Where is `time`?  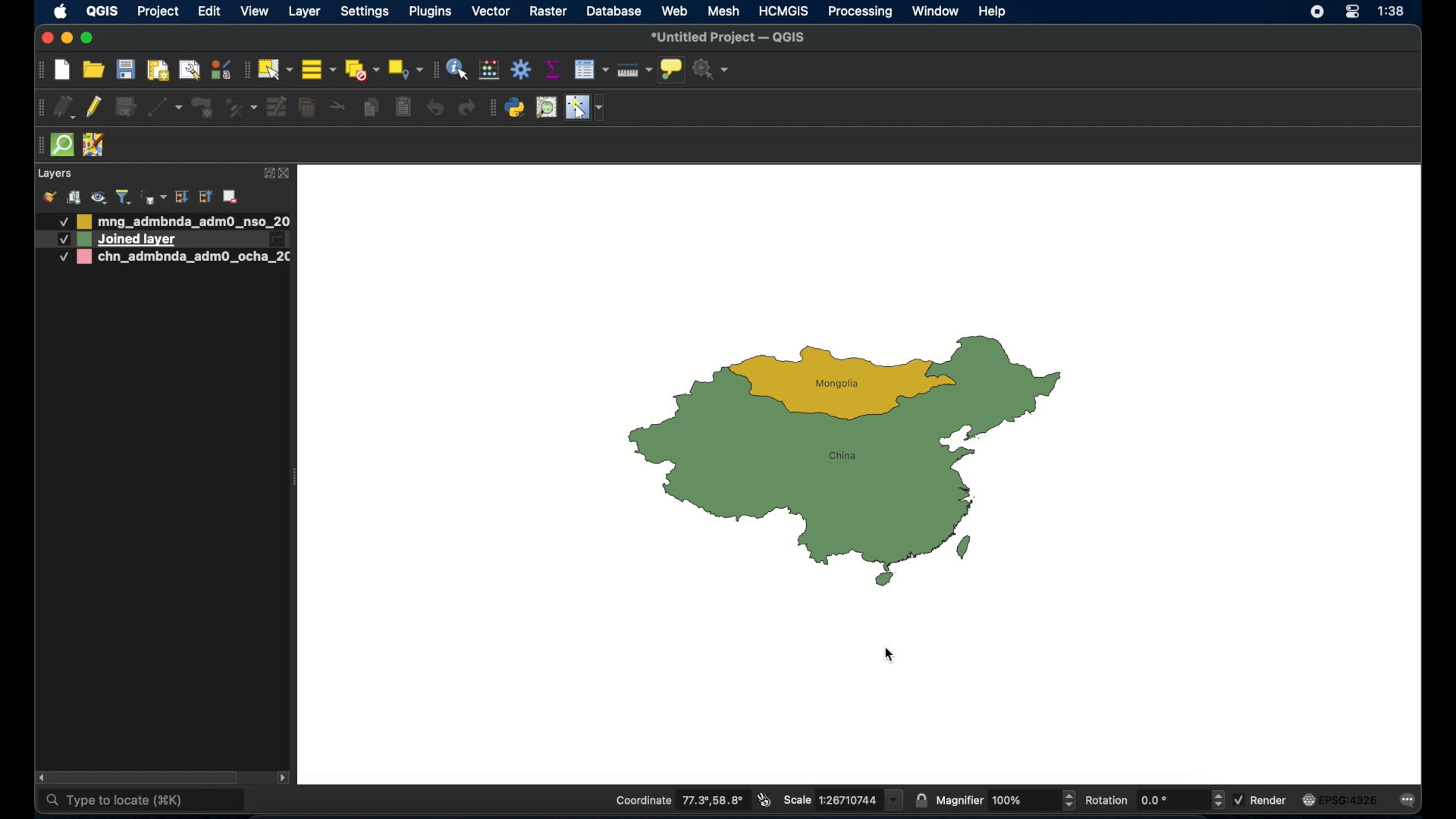
time is located at coordinates (1394, 12).